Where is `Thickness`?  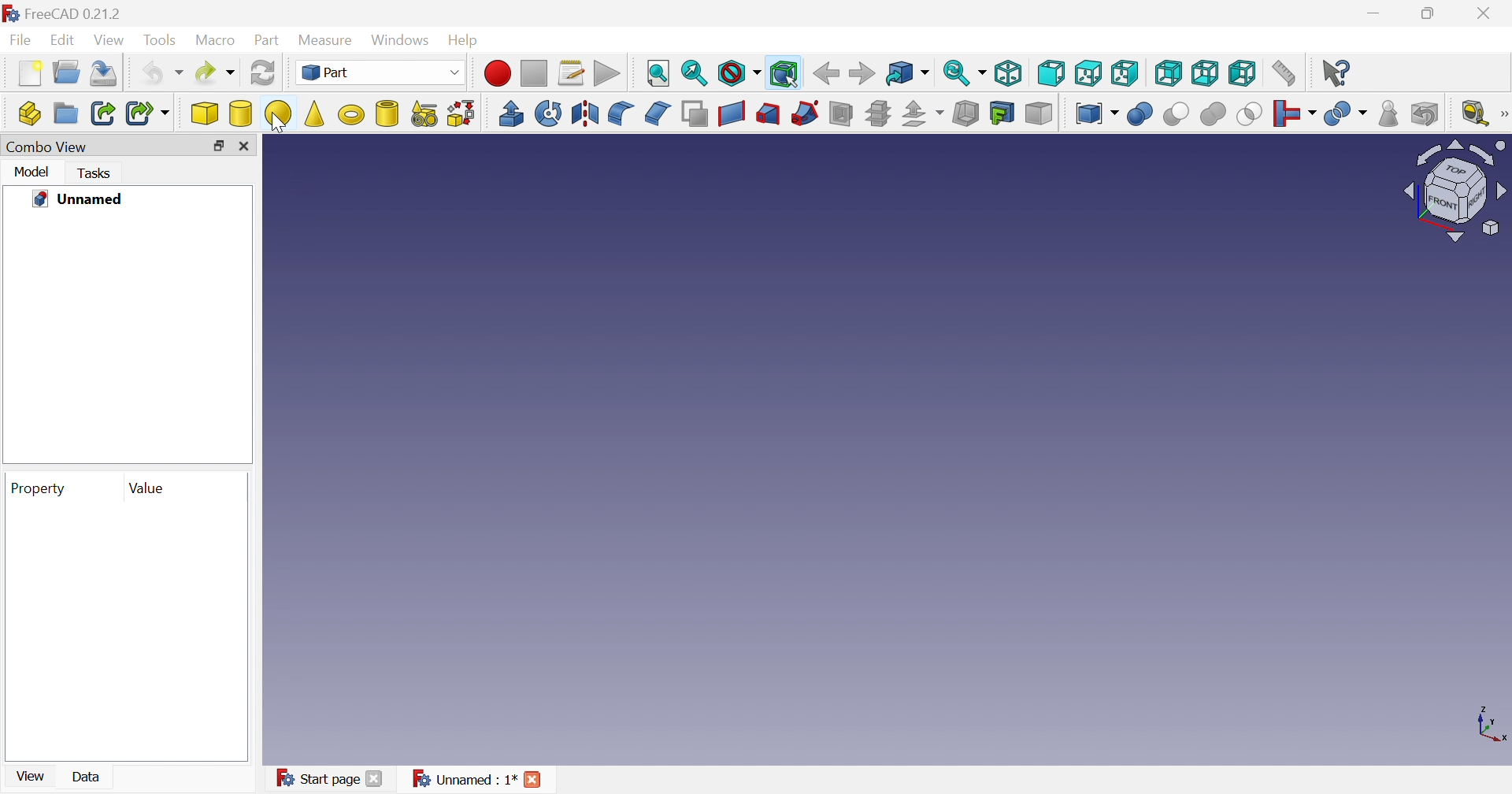
Thickness is located at coordinates (966, 114).